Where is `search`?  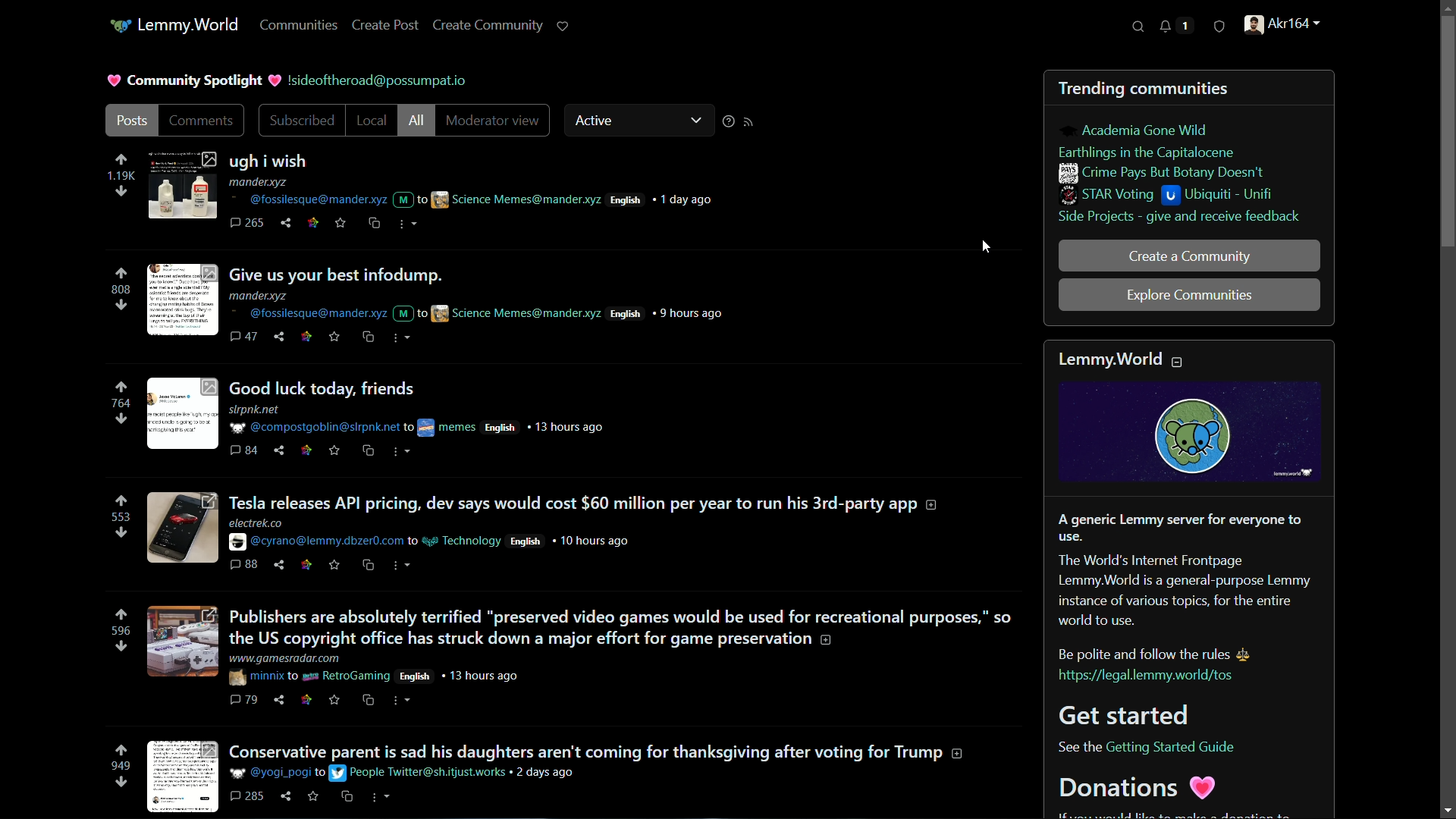
search is located at coordinates (1139, 27).